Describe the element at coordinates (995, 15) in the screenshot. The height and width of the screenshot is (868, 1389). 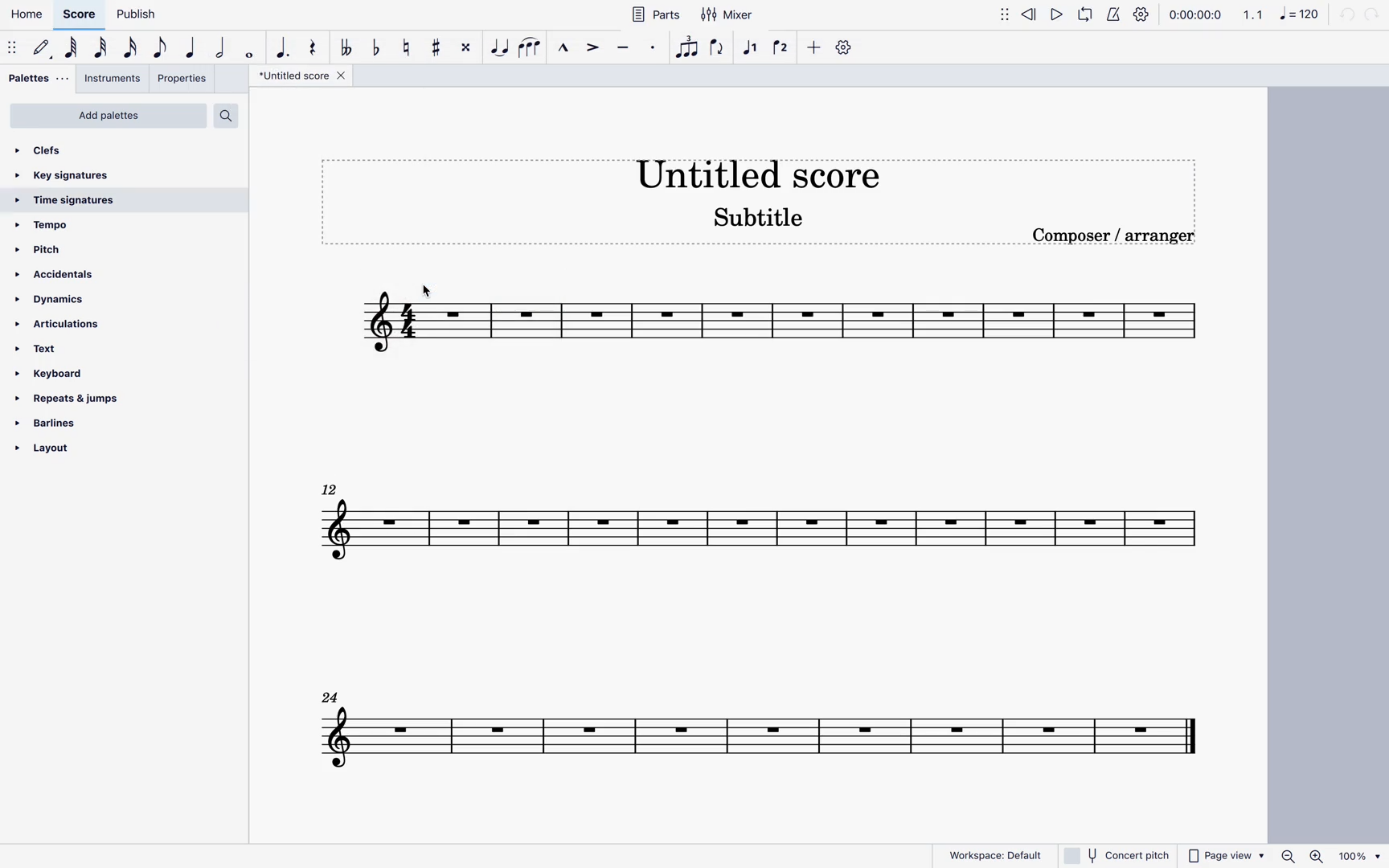
I see `show/hide` at that location.